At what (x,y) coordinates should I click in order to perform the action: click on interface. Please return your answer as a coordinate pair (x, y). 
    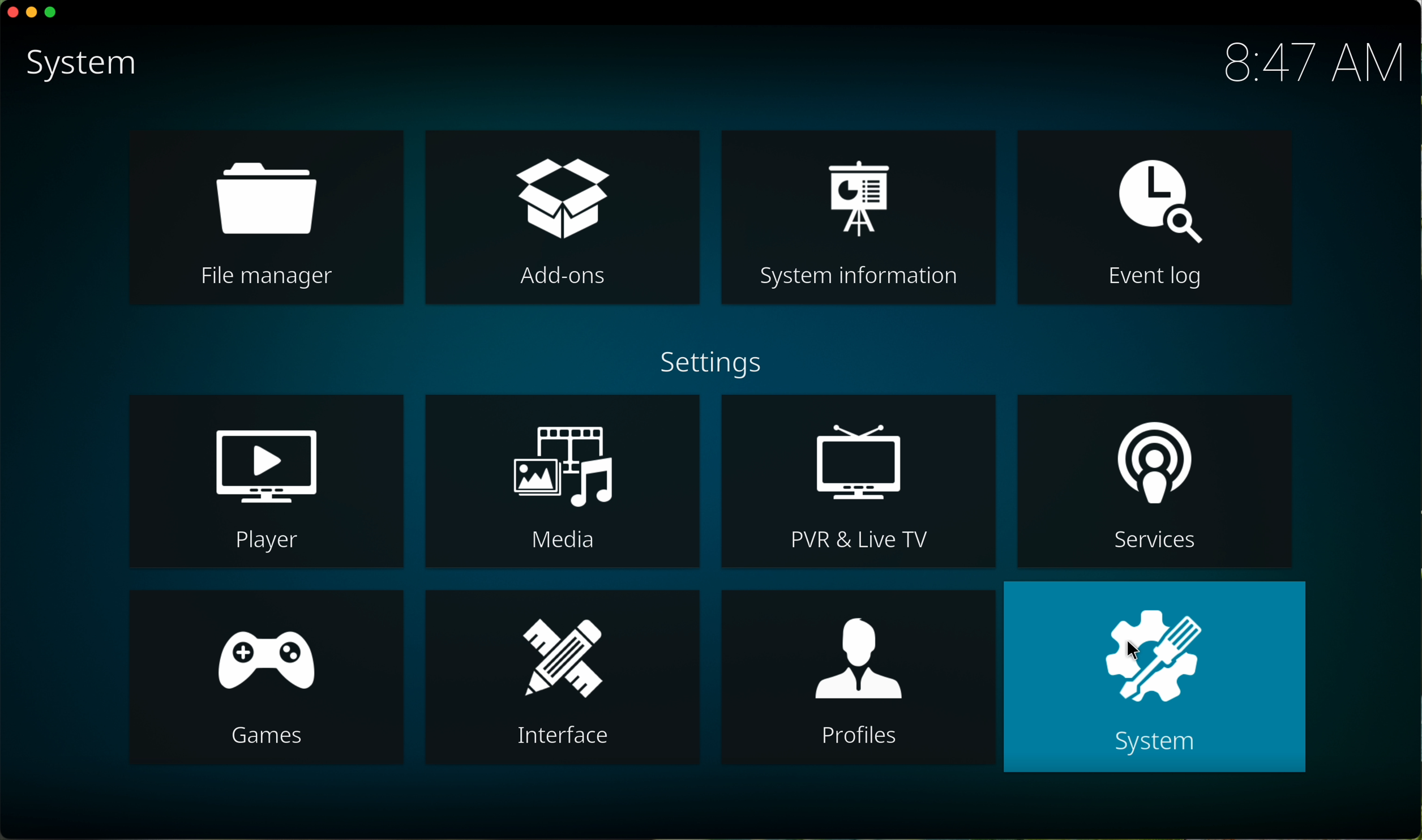
    Looking at the image, I should click on (563, 676).